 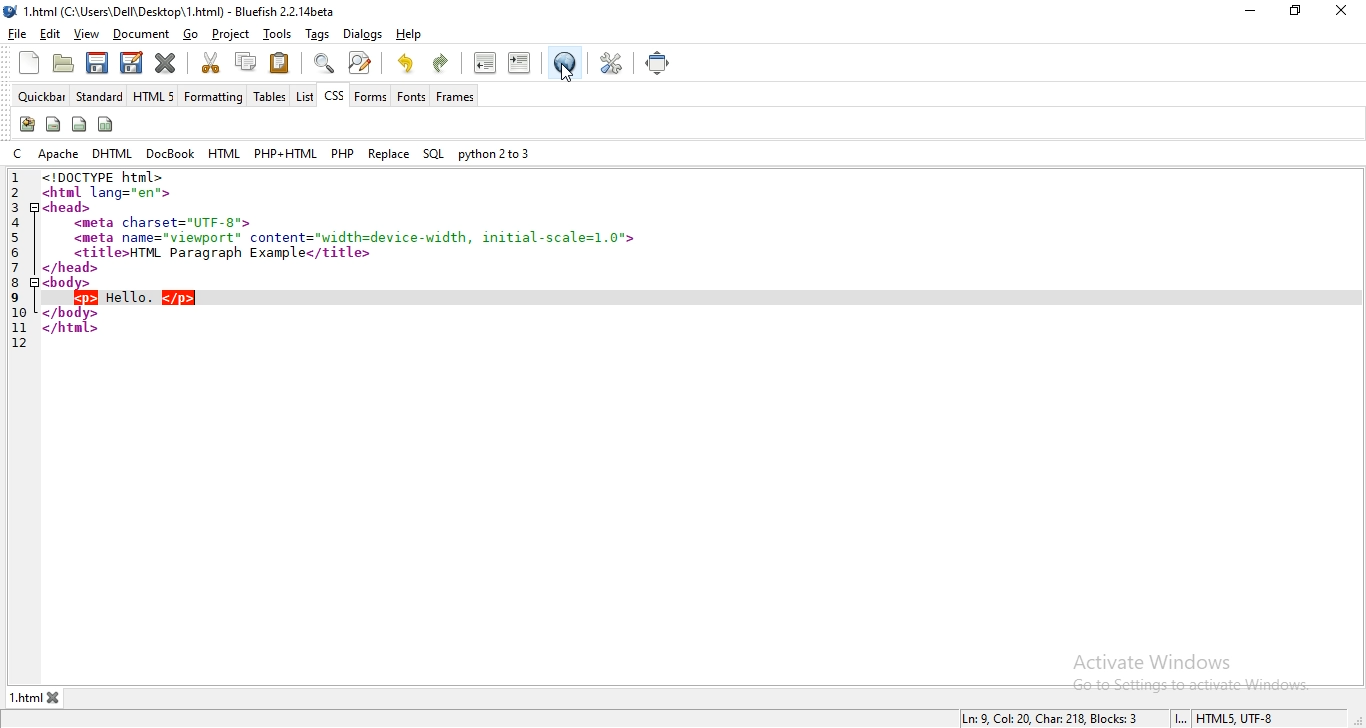 What do you see at coordinates (19, 259) in the screenshot?
I see `line numbers utilised from 1 to 12` at bounding box center [19, 259].